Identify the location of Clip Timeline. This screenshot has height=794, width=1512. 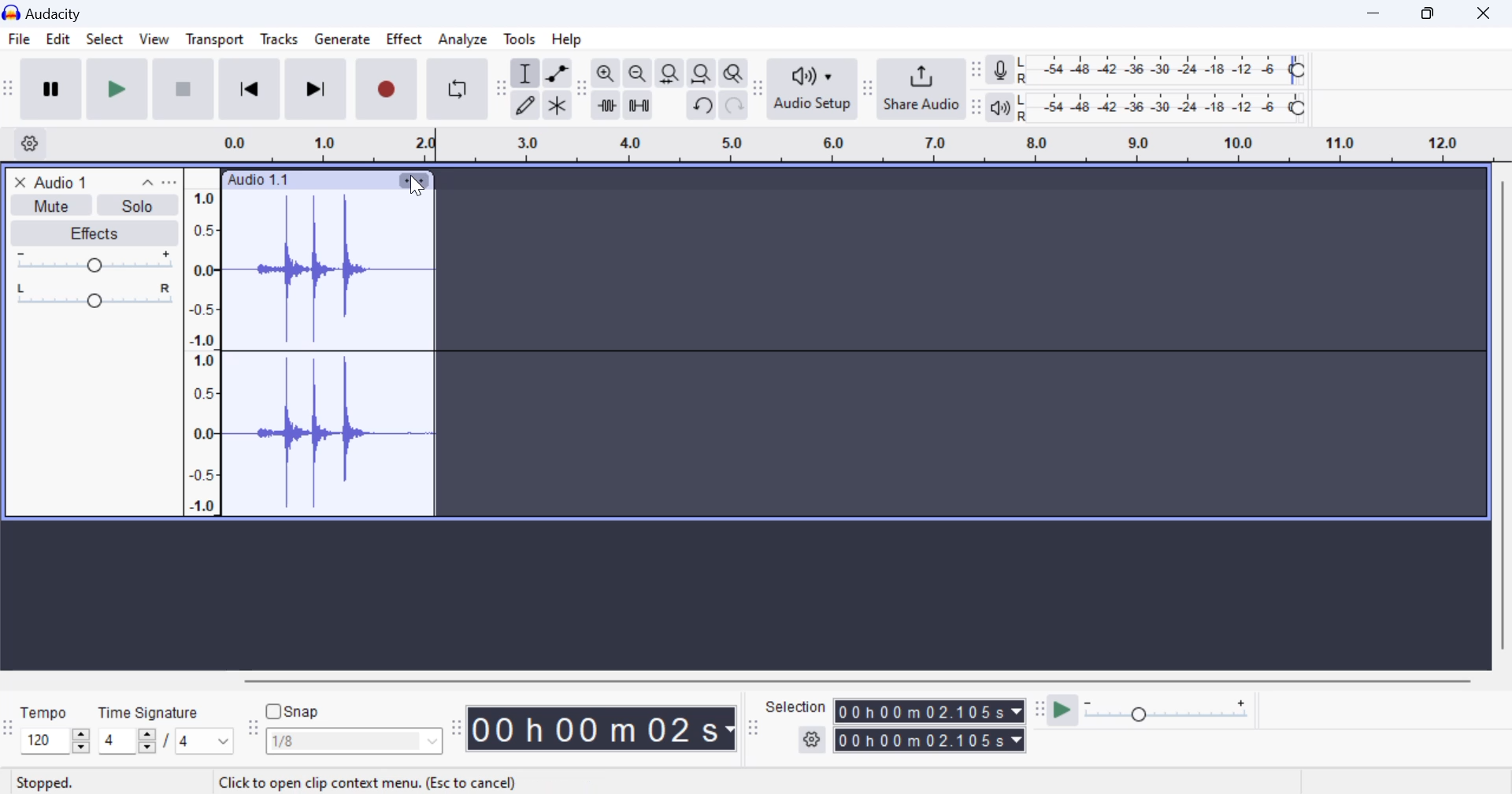
(841, 147).